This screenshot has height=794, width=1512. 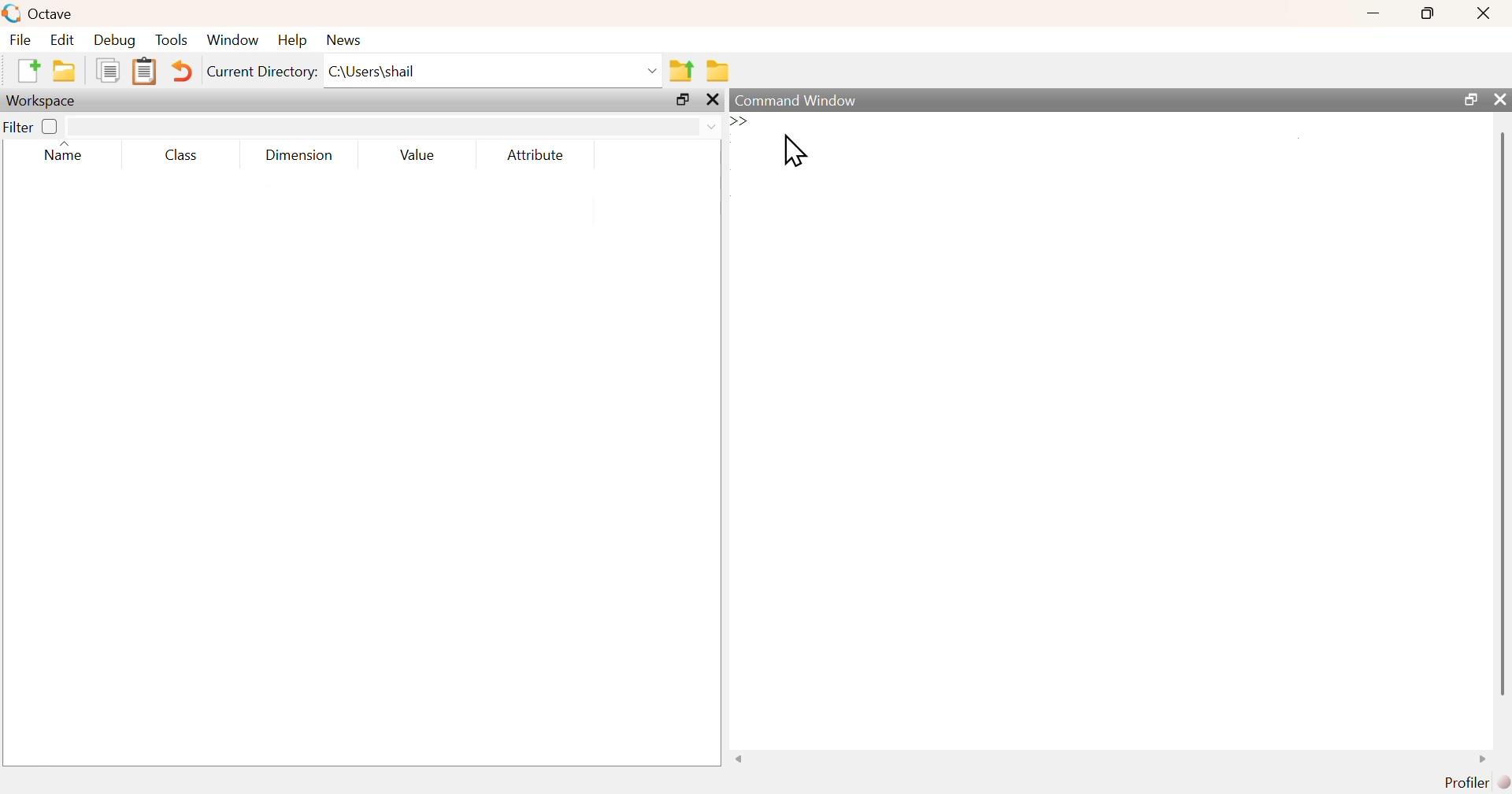 What do you see at coordinates (43, 100) in the screenshot?
I see `Workspace` at bounding box center [43, 100].